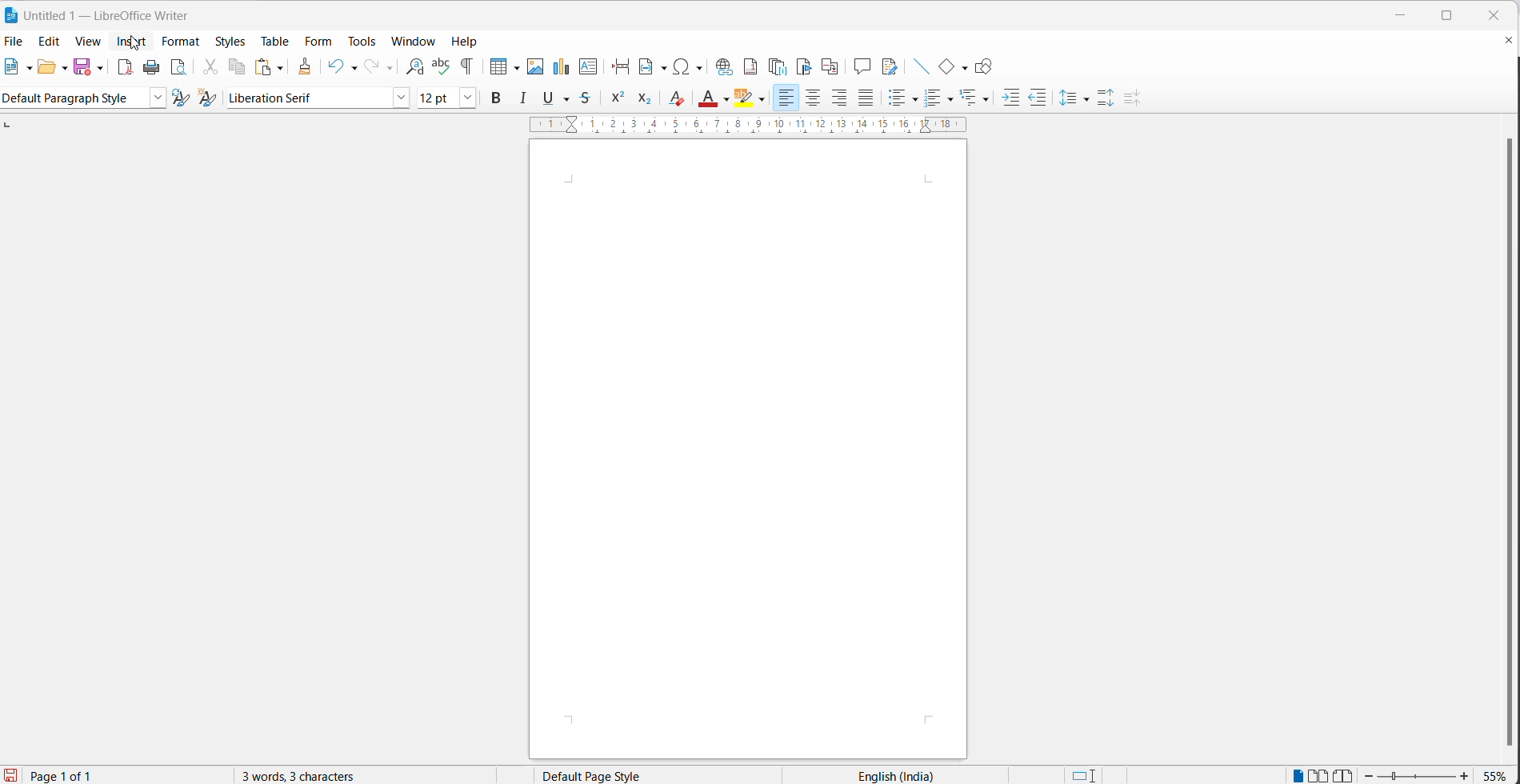 The width and height of the screenshot is (1520, 784). Describe the element at coordinates (133, 44) in the screenshot. I see `insert` at that location.